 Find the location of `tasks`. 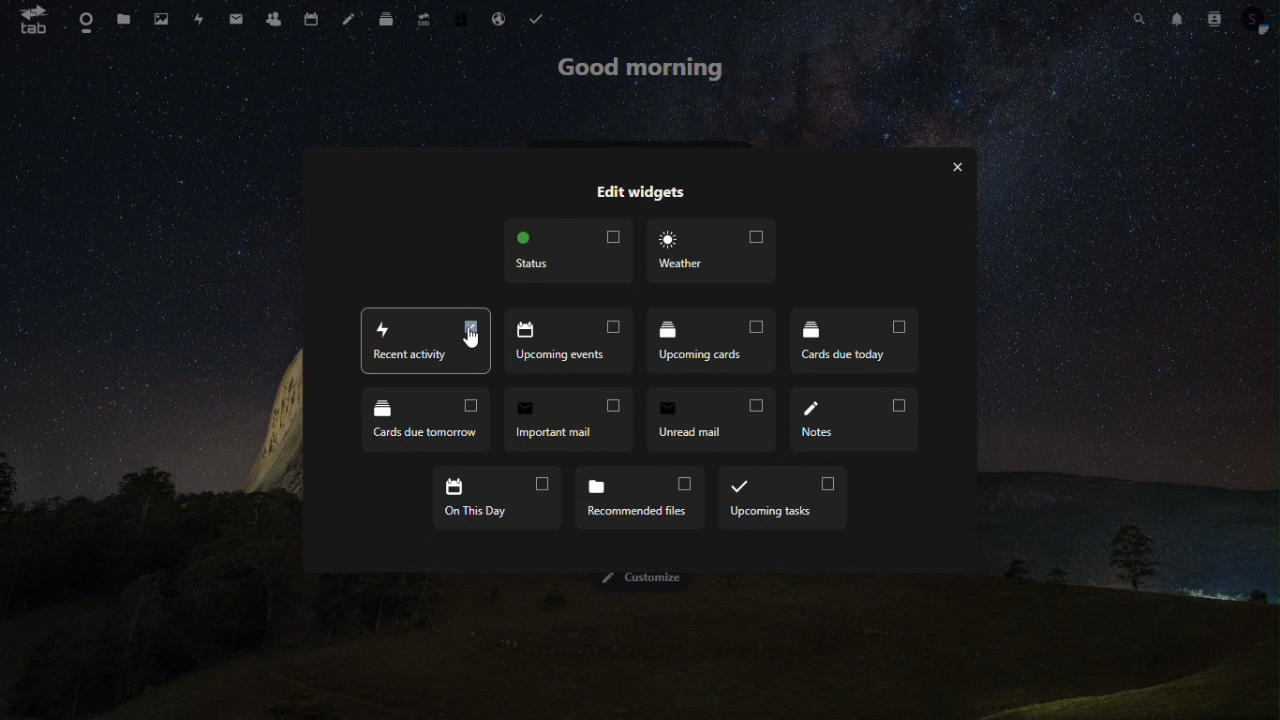

tasks is located at coordinates (540, 17).